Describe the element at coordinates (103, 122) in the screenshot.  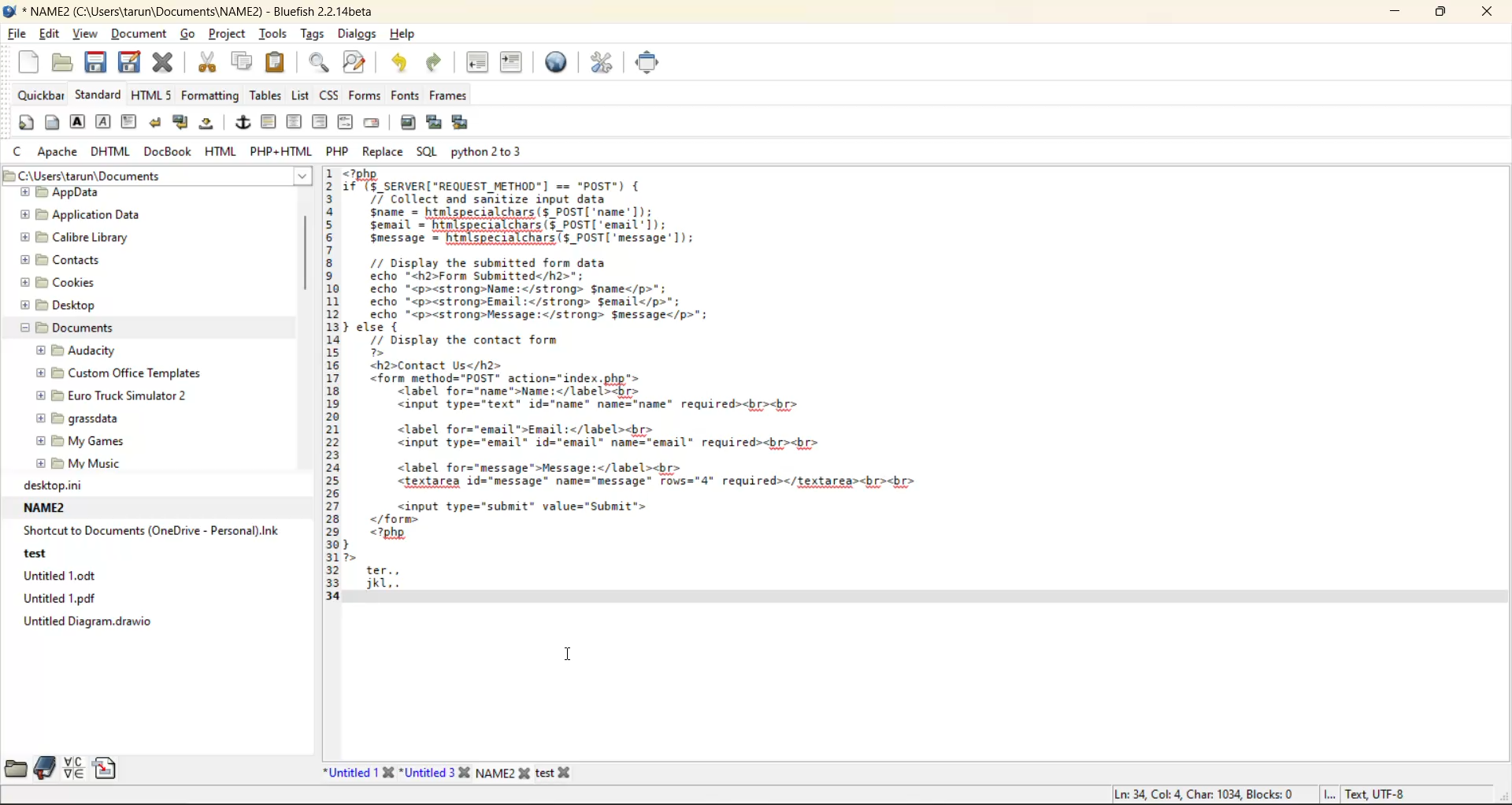
I see `emphasis` at that location.